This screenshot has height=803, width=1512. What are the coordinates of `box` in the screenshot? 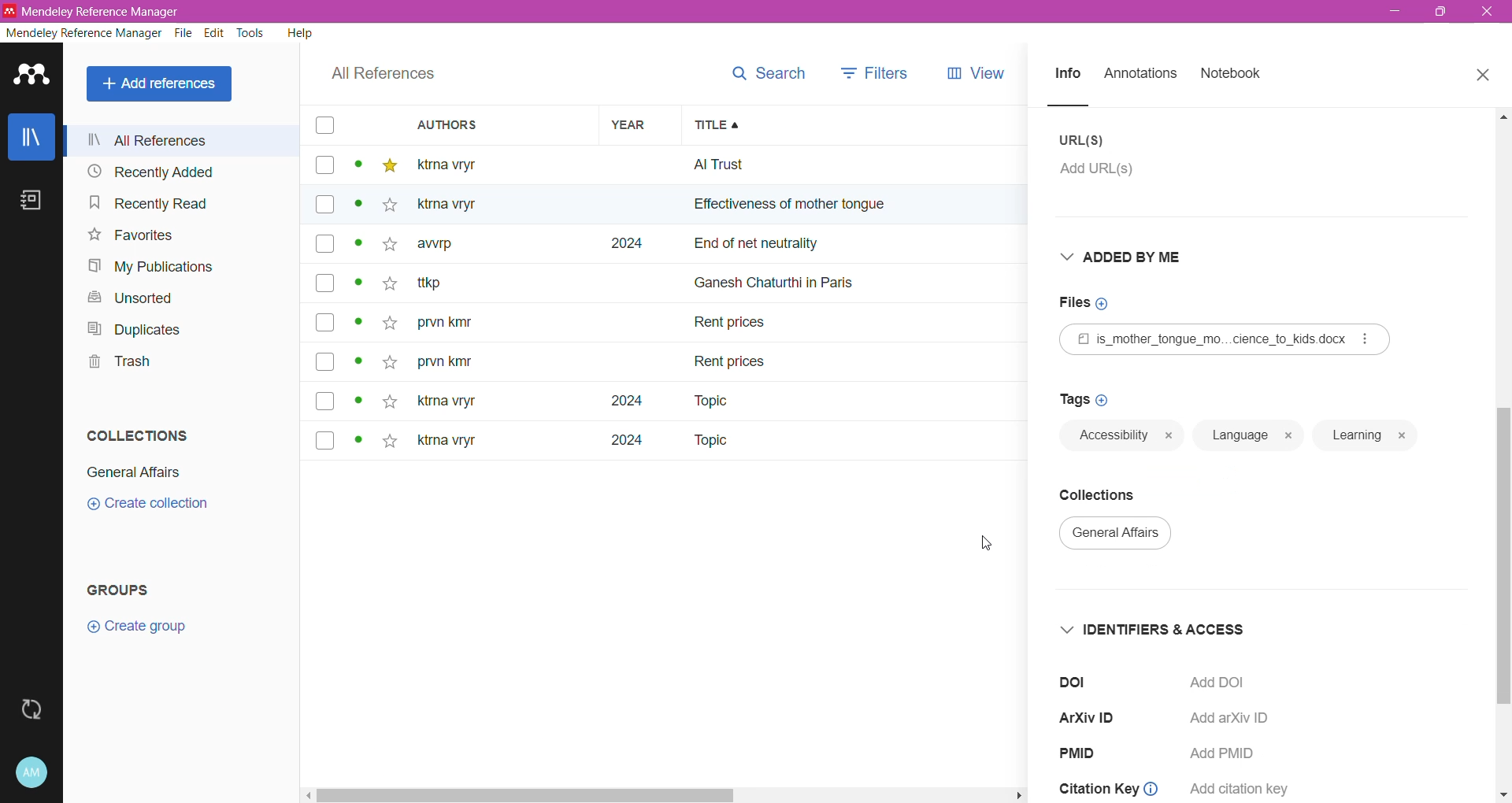 It's located at (324, 205).